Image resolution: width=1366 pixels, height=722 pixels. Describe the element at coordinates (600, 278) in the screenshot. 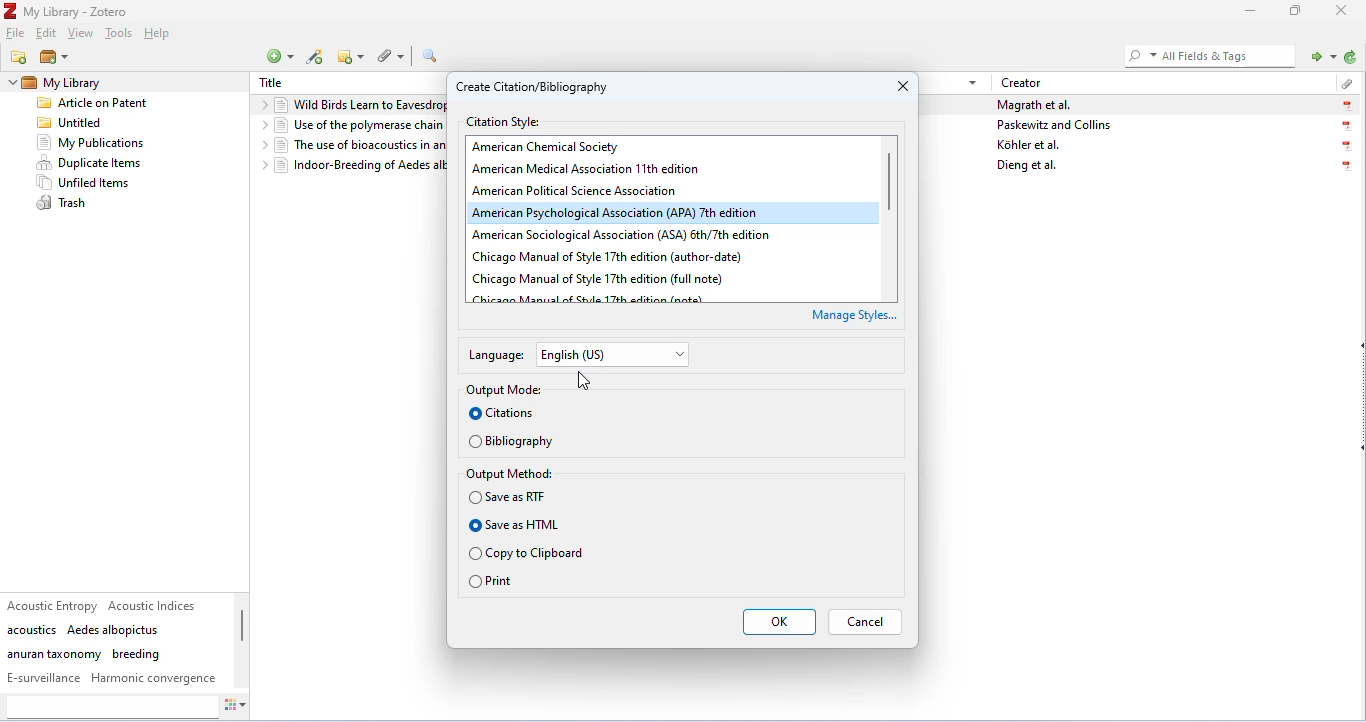

I see `chicago manual of style 17th edition (full note)` at that location.